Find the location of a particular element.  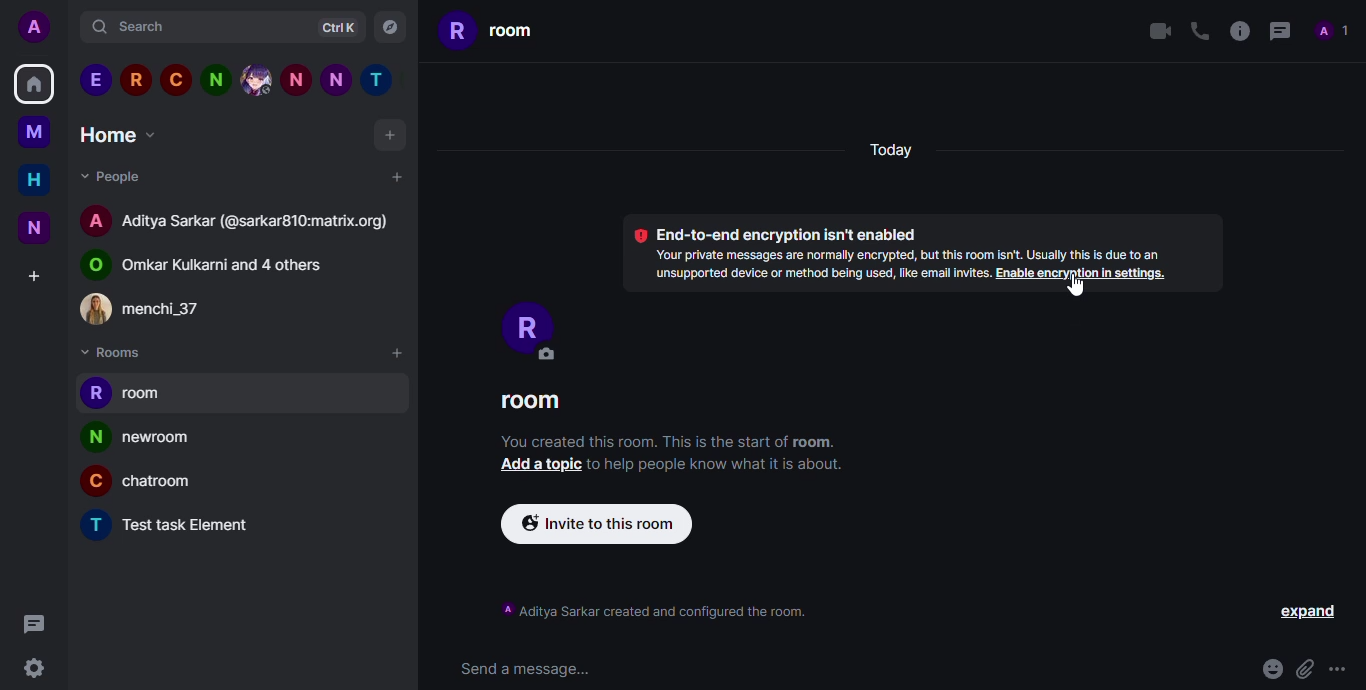

enable encryption is located at coordinates (1079, 275).